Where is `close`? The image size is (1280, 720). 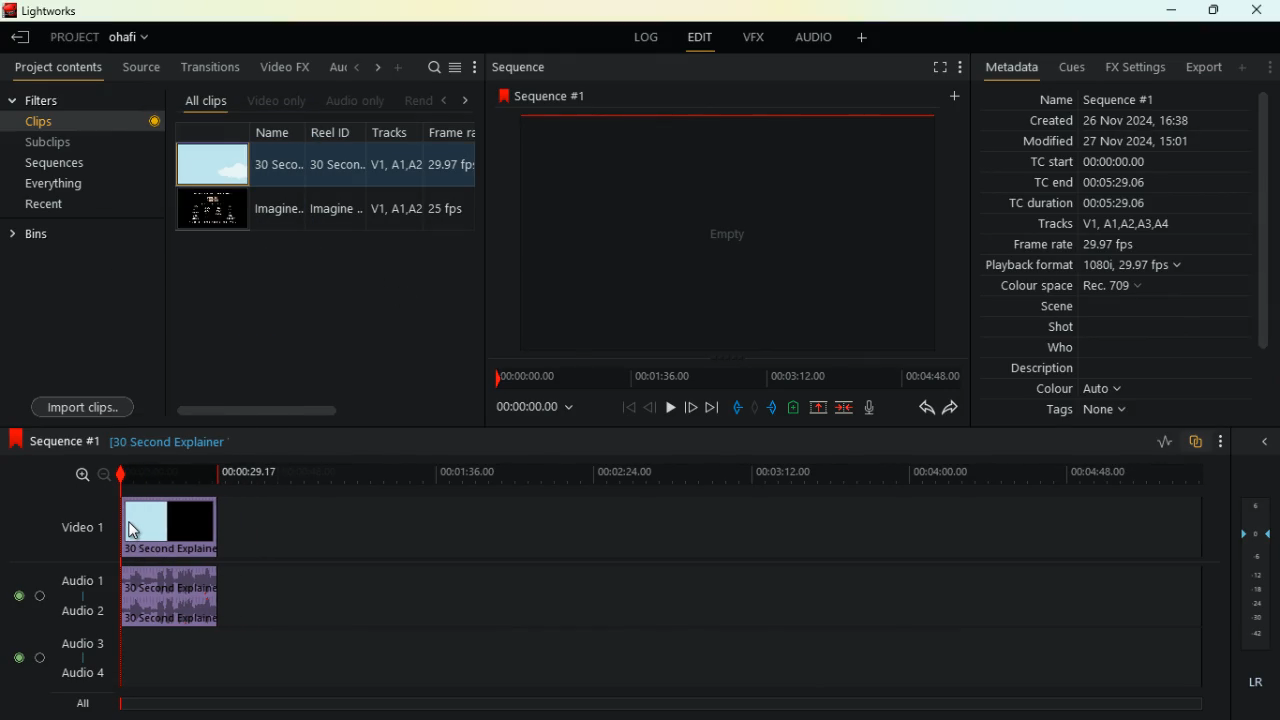 close is located at coordinates (1262, 443).